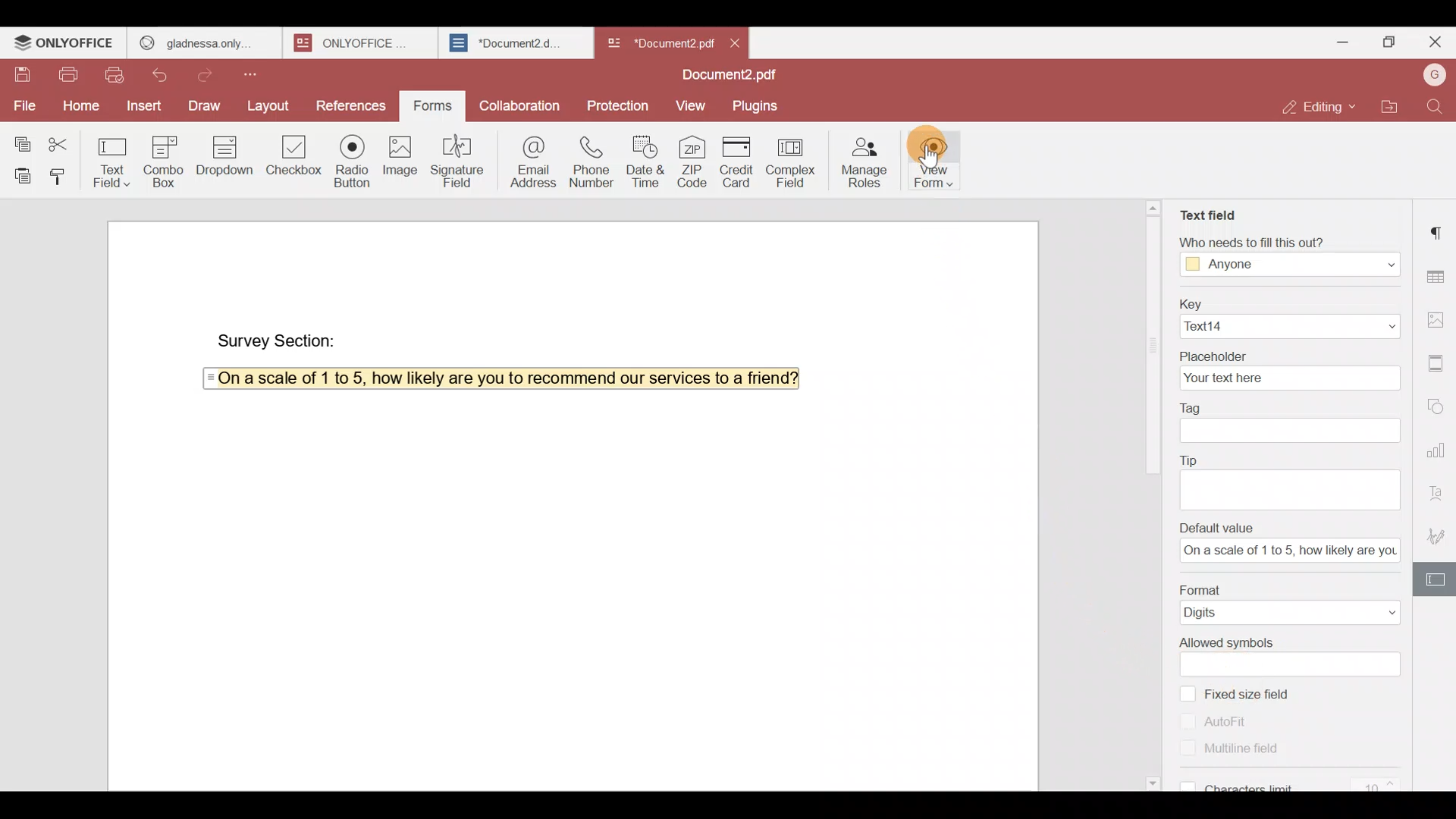 The height and width of the screenshot is (819, 1456). Describe the element at coordinates (24, 105) in the screenshot. I see `File` at that location.